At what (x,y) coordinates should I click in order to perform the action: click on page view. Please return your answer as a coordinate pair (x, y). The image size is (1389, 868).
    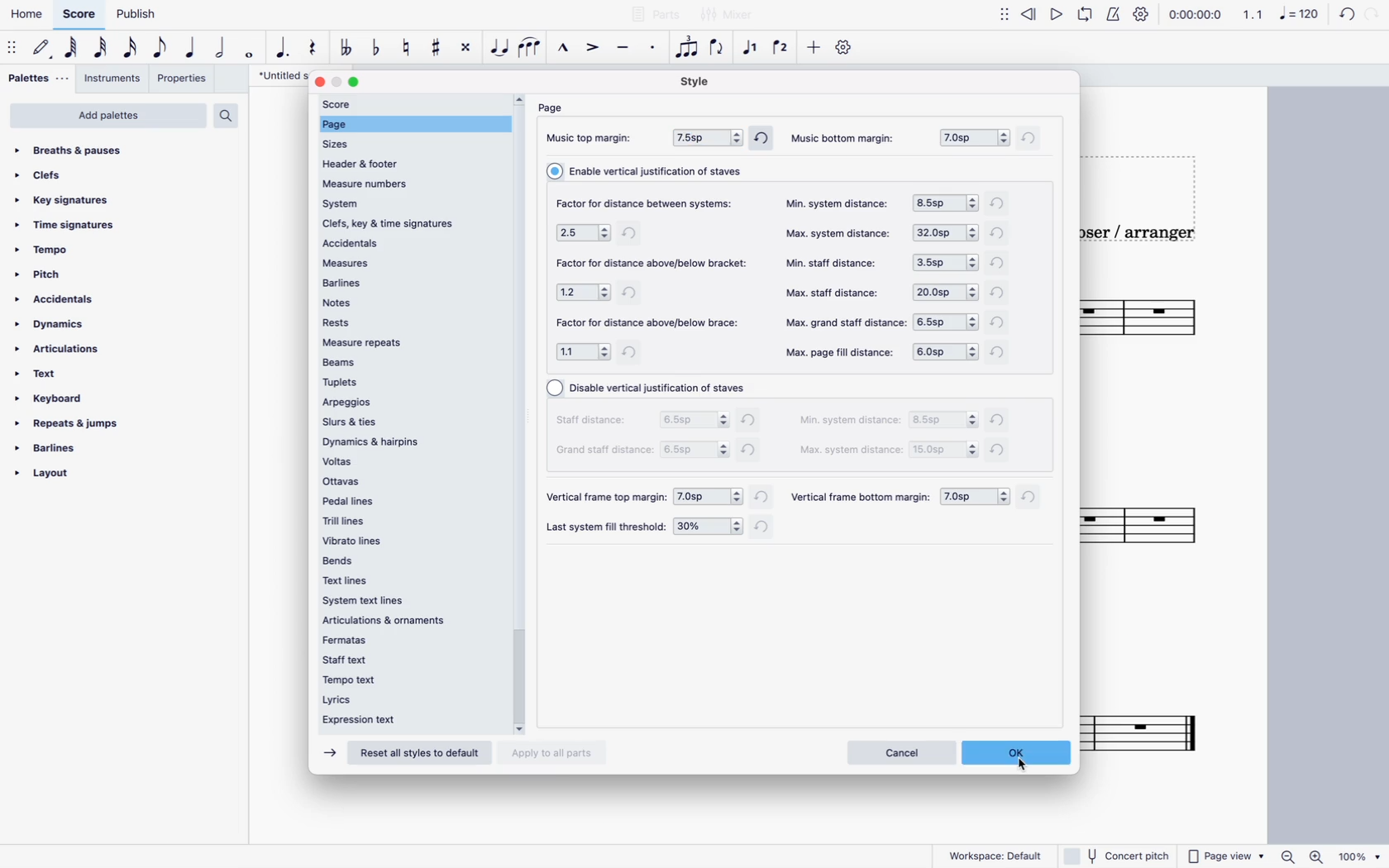
    Looking at the image, I should click on (1226, 853).